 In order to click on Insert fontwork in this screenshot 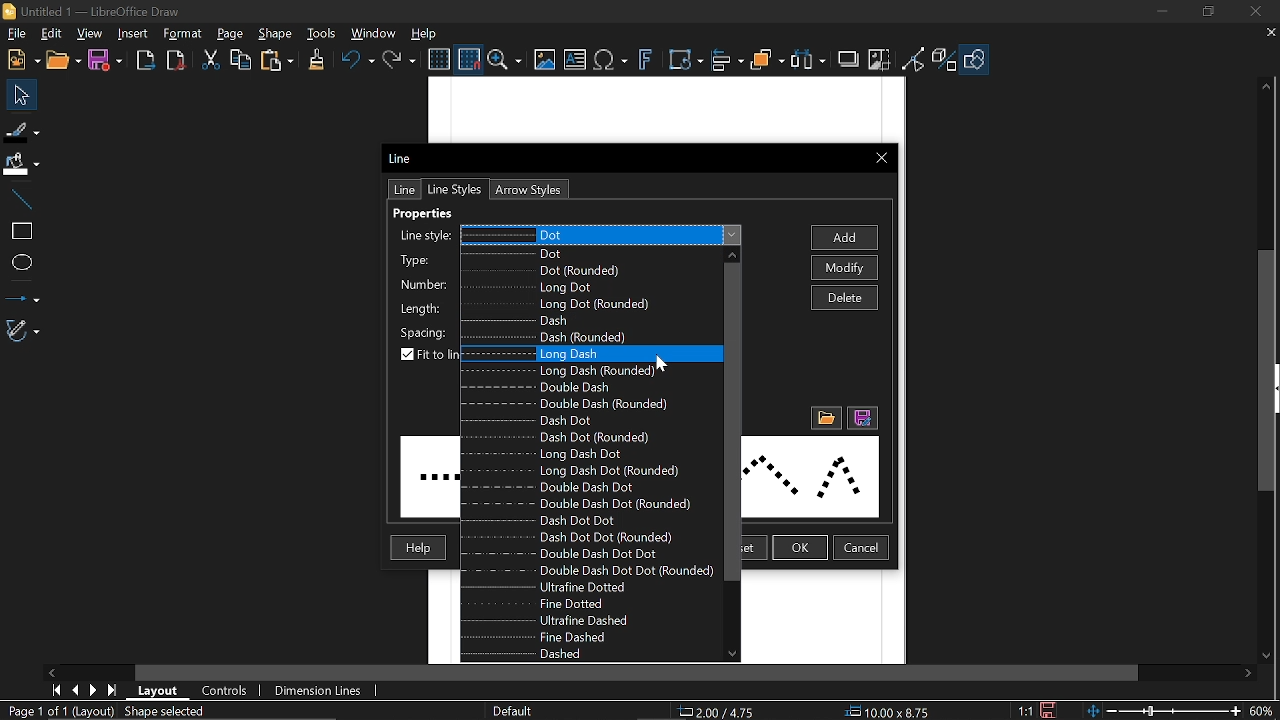, I will do `click(646, 61)`.